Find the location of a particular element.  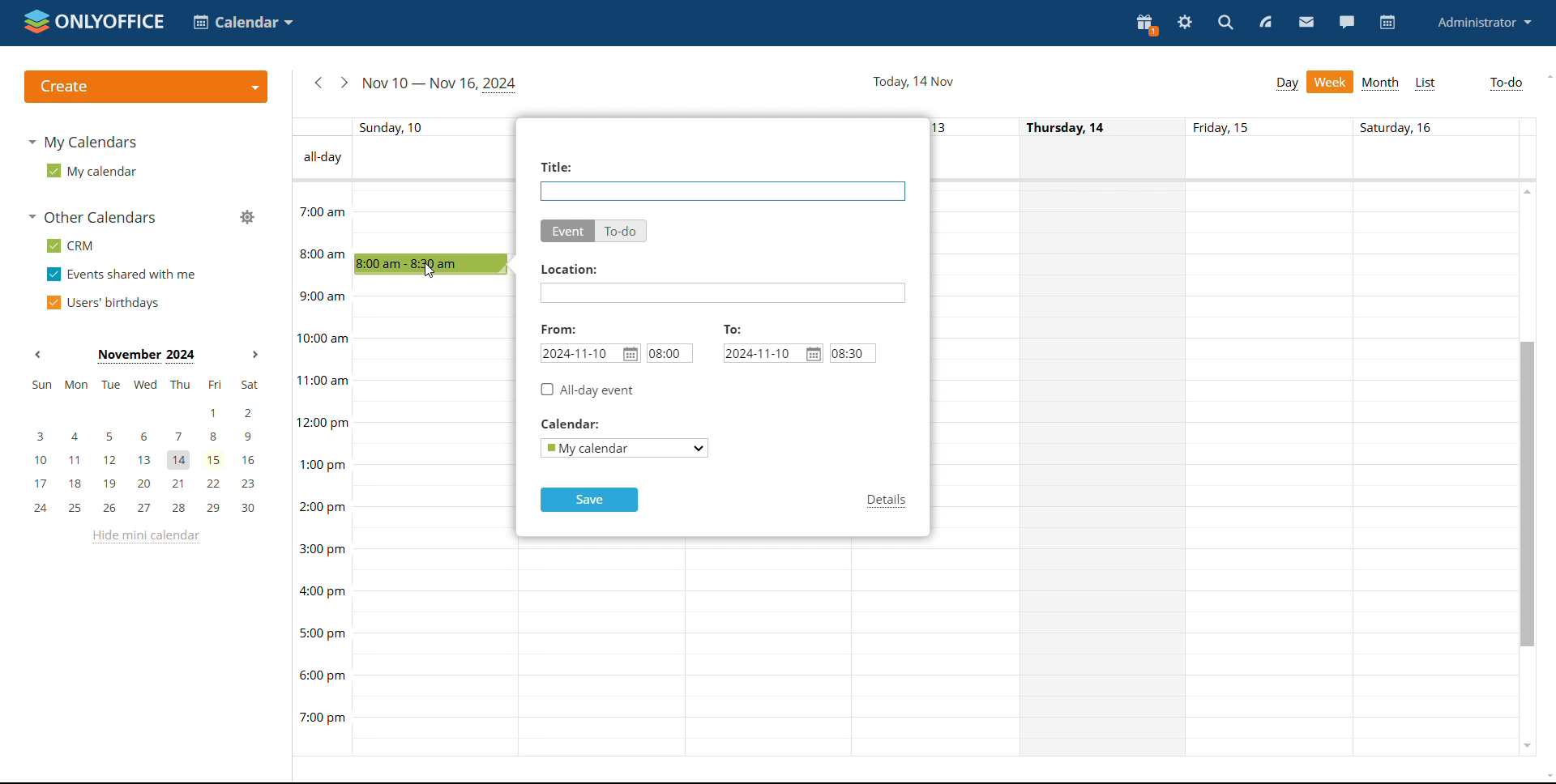

previous week is located at coordinates (316, 83).